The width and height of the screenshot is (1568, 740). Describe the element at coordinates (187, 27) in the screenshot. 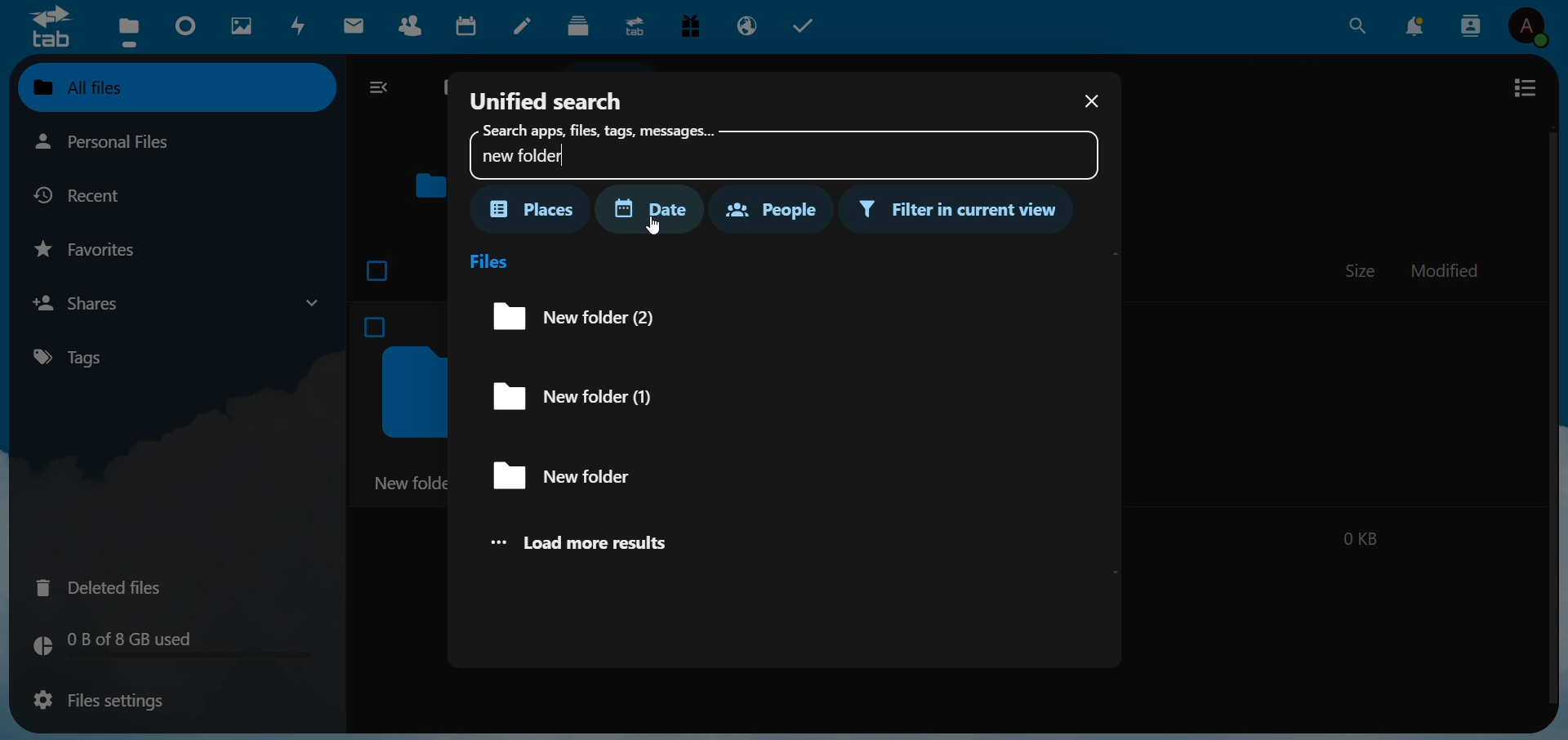

I see `dashboard` at that location.